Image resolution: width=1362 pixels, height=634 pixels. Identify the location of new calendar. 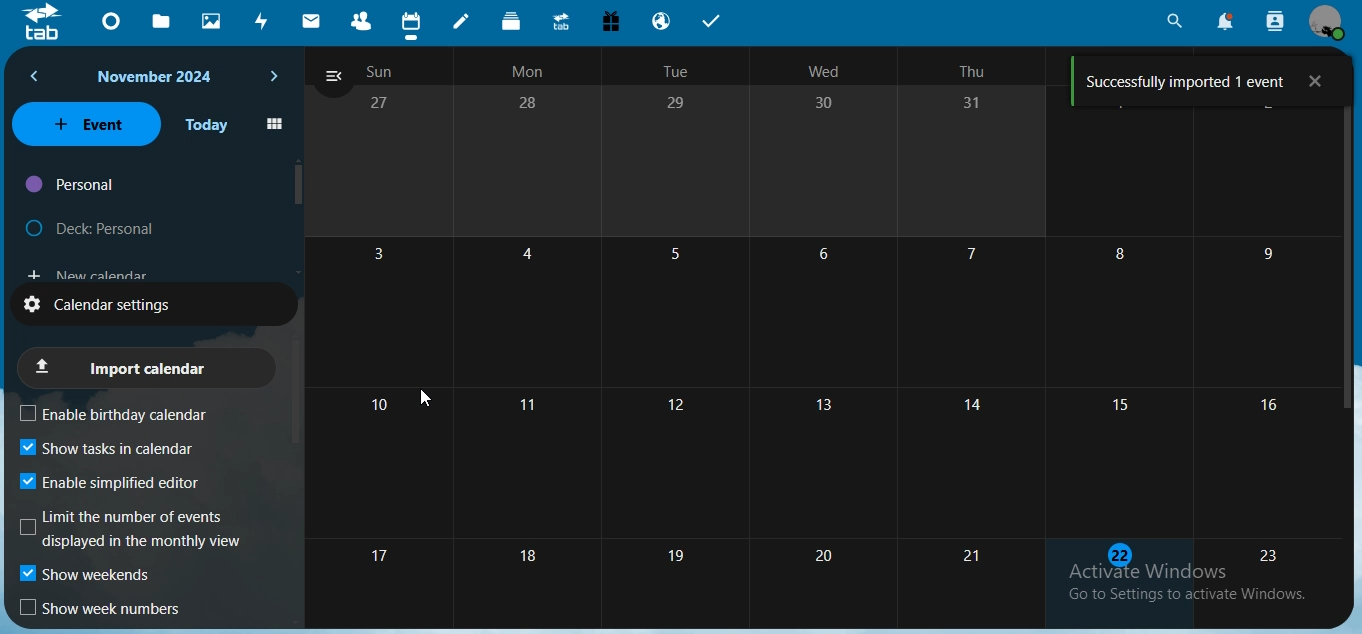
(86, 271).